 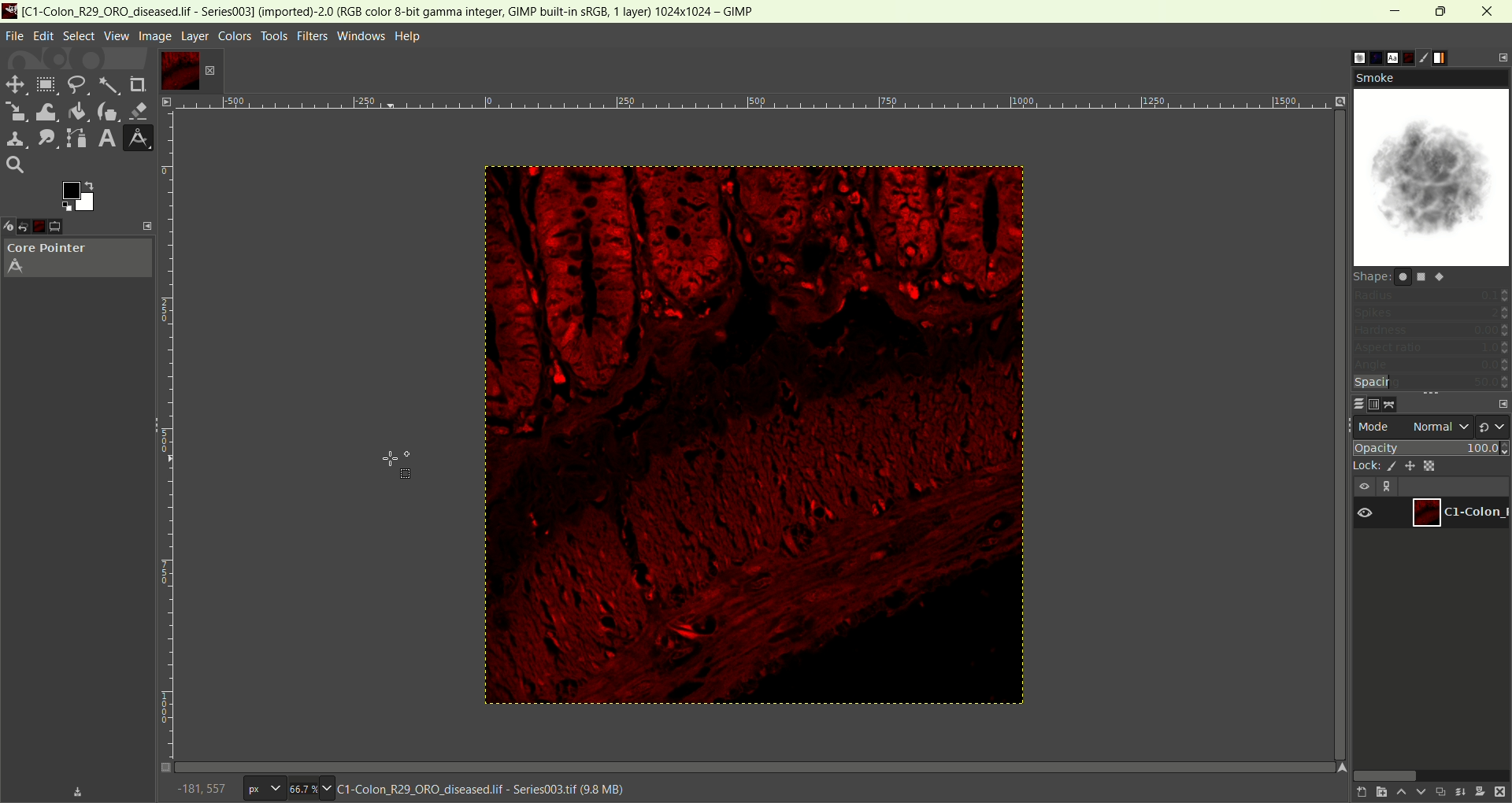 What do you see at coordinates (1429, 465) in the screenshot?
I see `lock alpha channel` at bounding box center [1429, 465].